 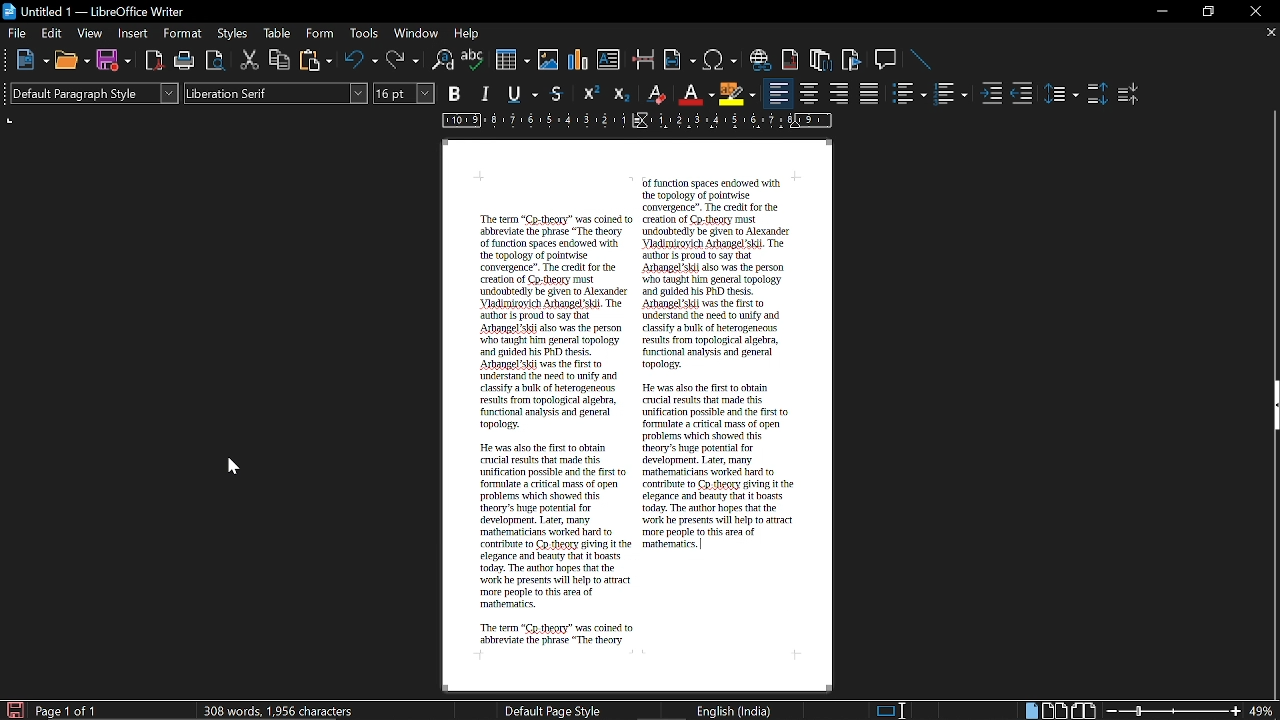 I want to click on Subscript, so click(x=621, y=93).